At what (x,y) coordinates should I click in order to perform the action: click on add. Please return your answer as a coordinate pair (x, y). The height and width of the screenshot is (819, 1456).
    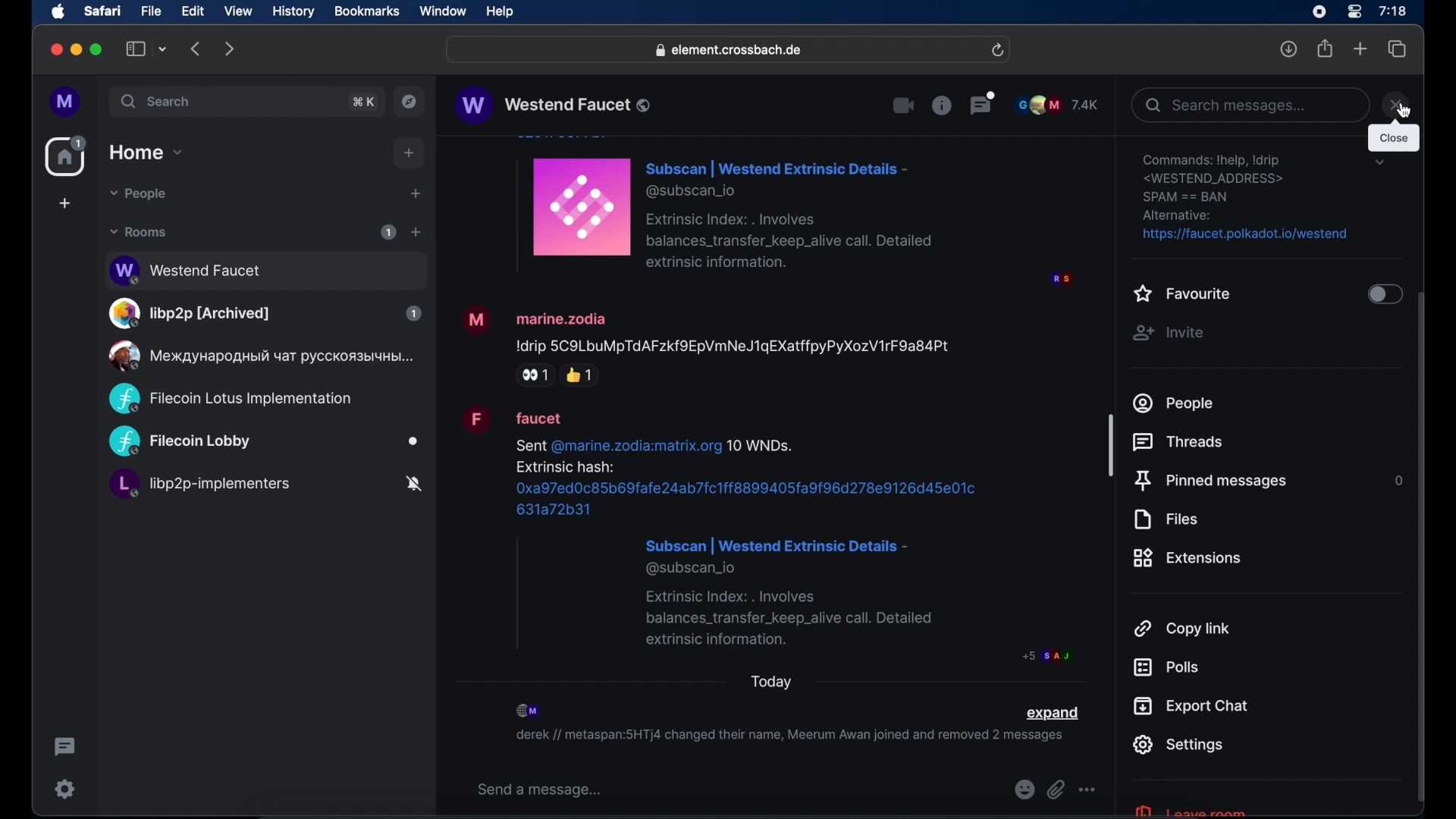
    Looking at the image, I should click on (409, 153).